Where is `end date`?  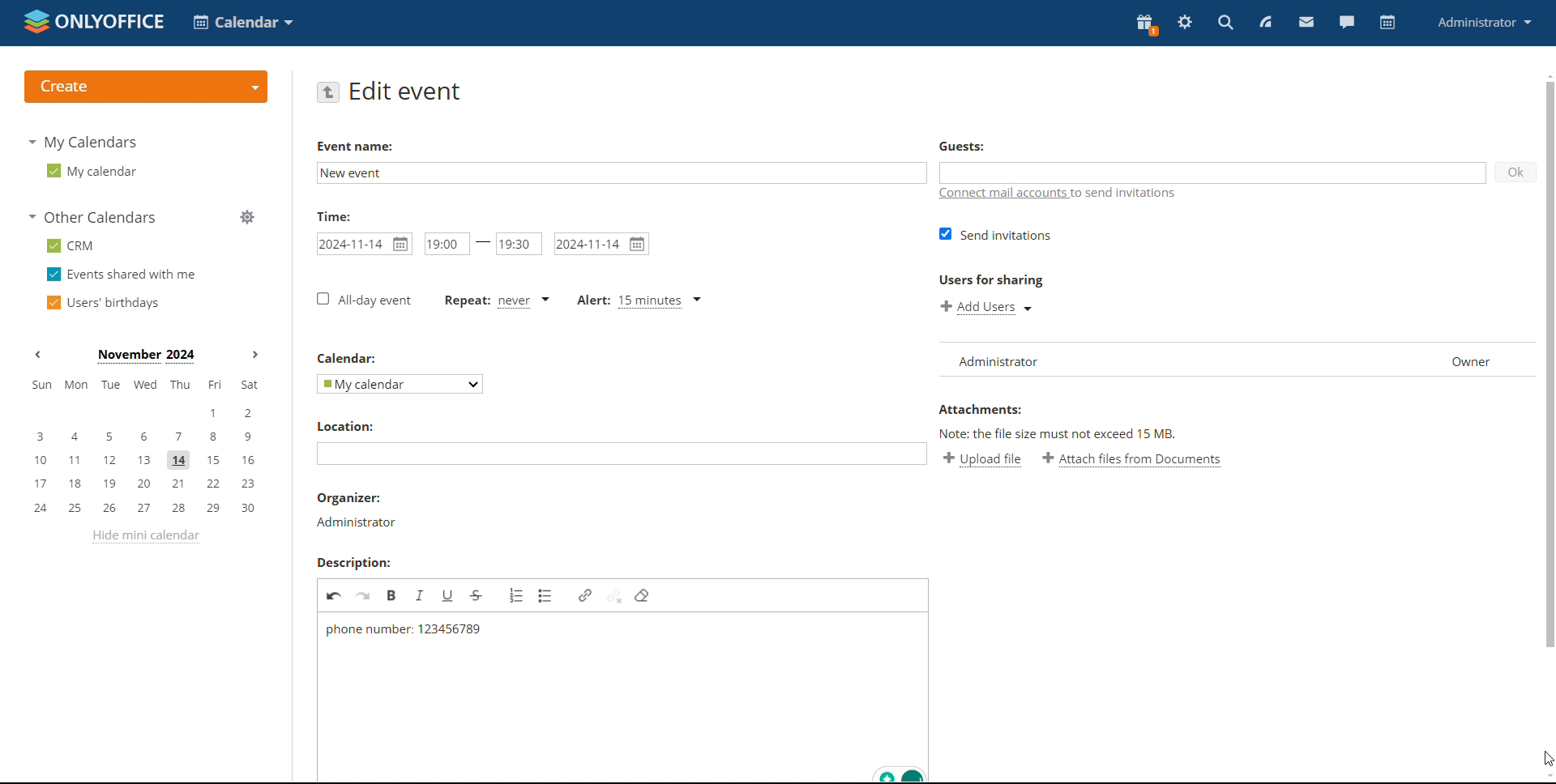
end date is located at coordinates (600, 245).